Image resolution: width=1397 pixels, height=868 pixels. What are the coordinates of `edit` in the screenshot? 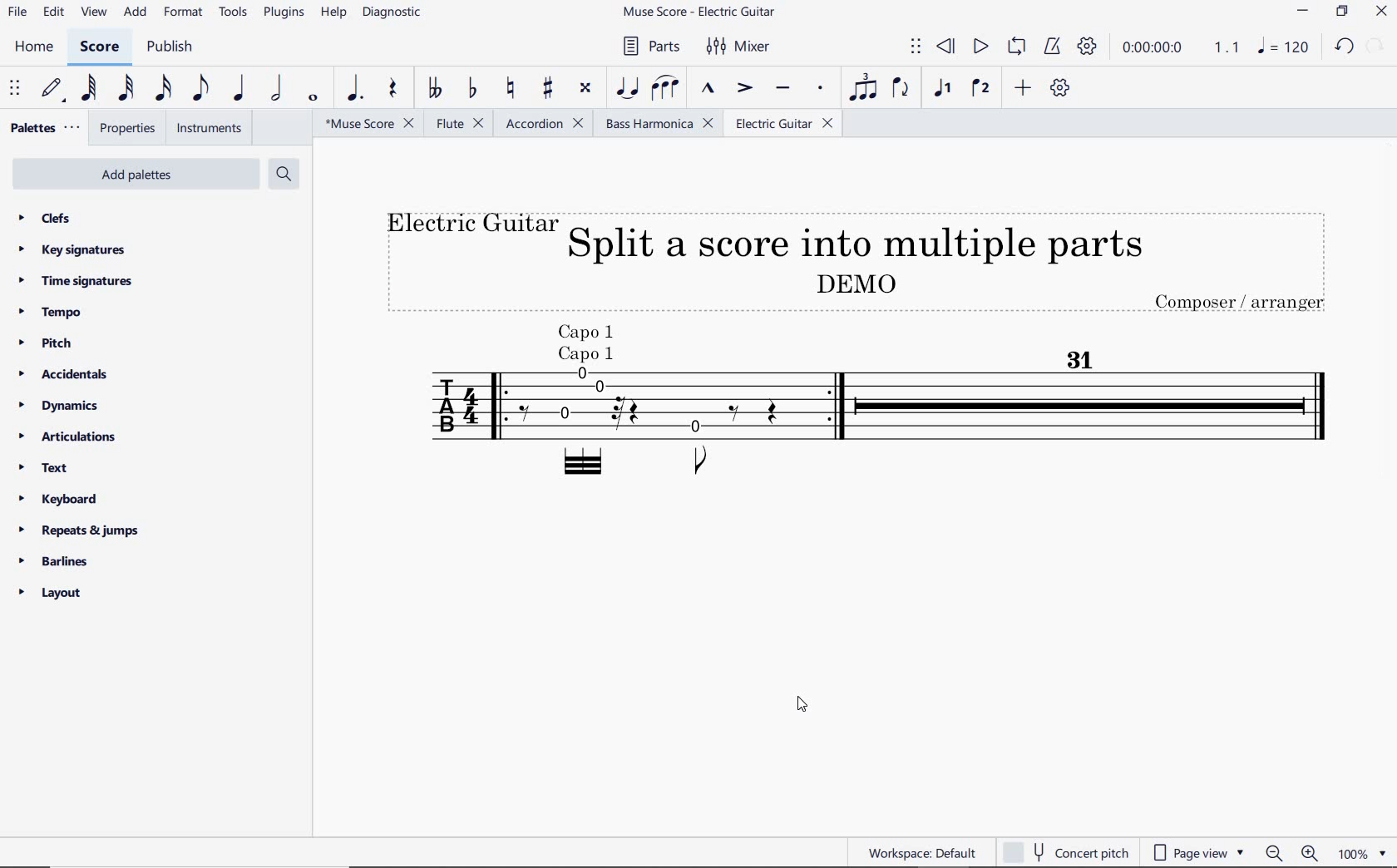 It's located at (54, 13).